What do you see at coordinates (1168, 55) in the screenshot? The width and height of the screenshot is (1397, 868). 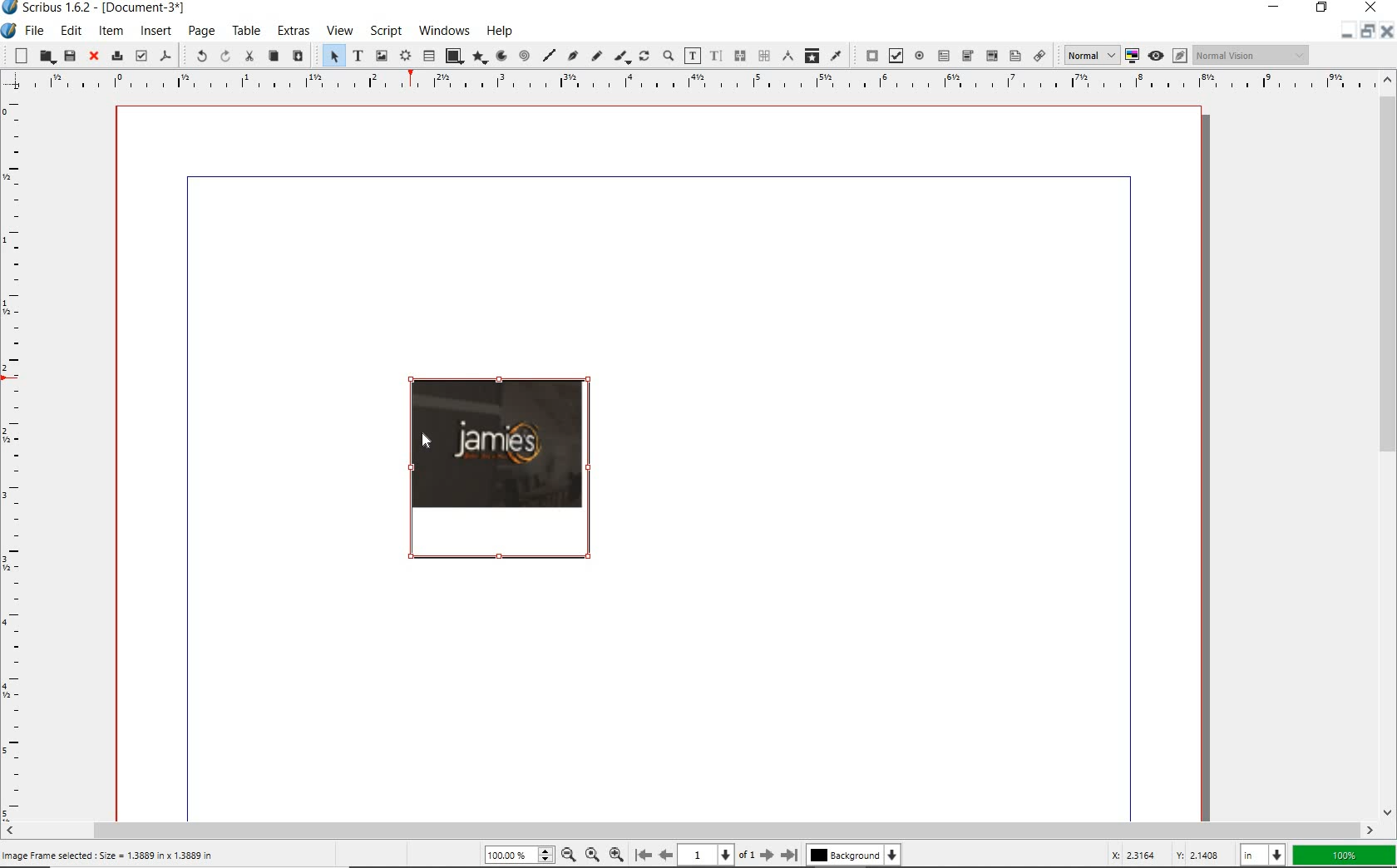 I see `preview mode` at bounding box center [1168, 55].